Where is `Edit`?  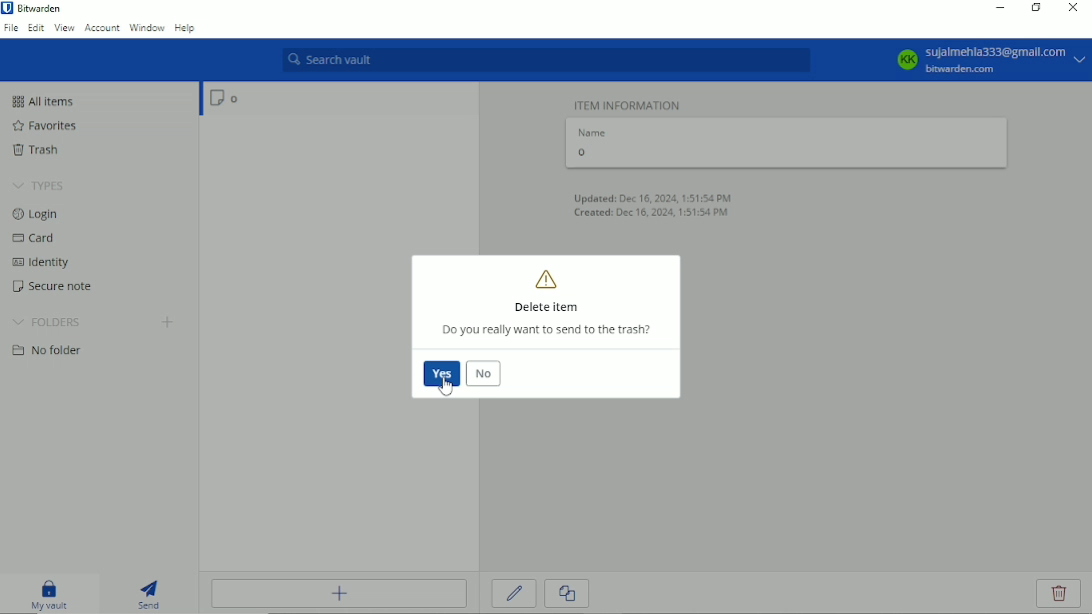
Edit is located at coordinates (514, 595).